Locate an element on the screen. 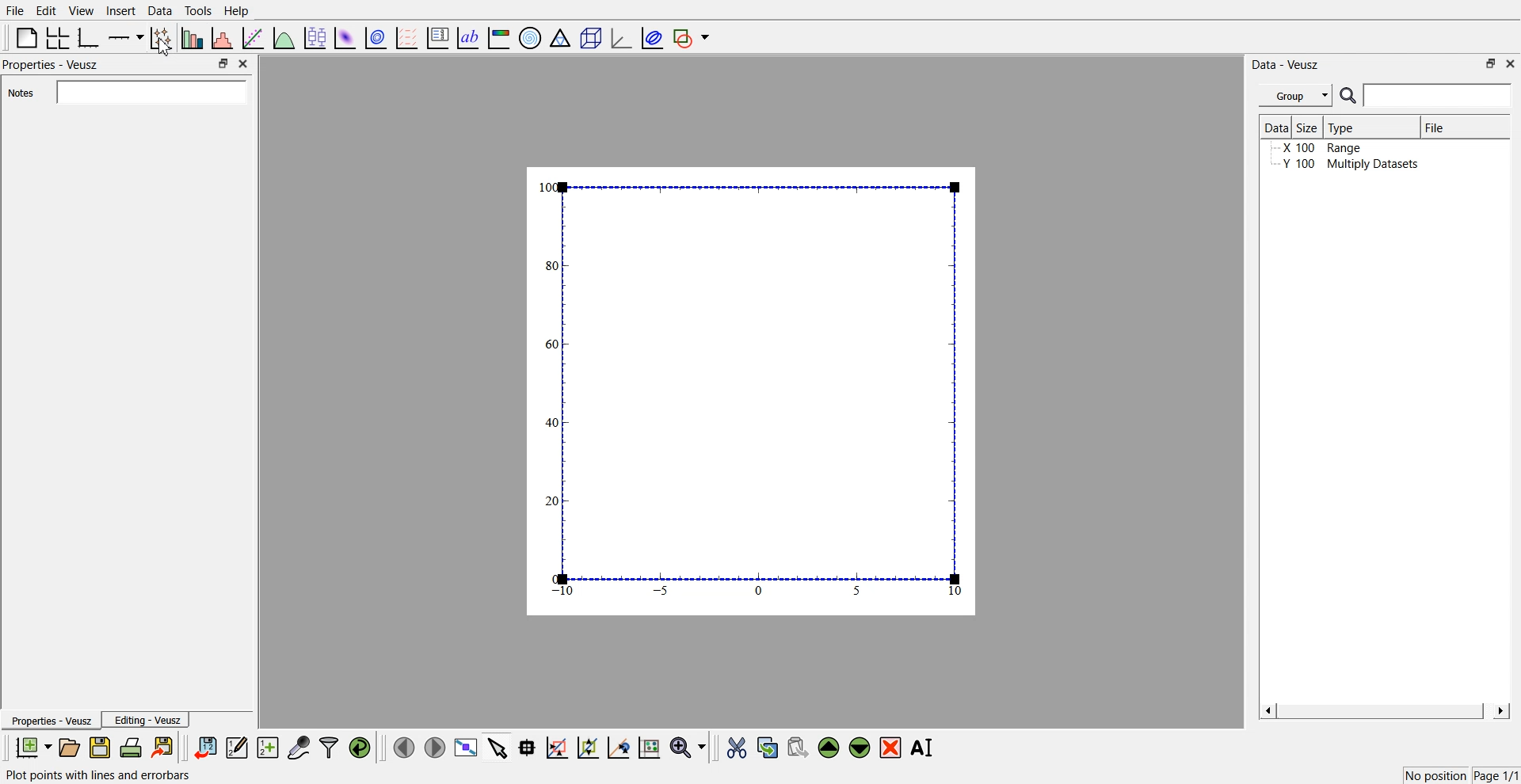 The image size is (1521, 784). filters is located at coordinates (327, 748).